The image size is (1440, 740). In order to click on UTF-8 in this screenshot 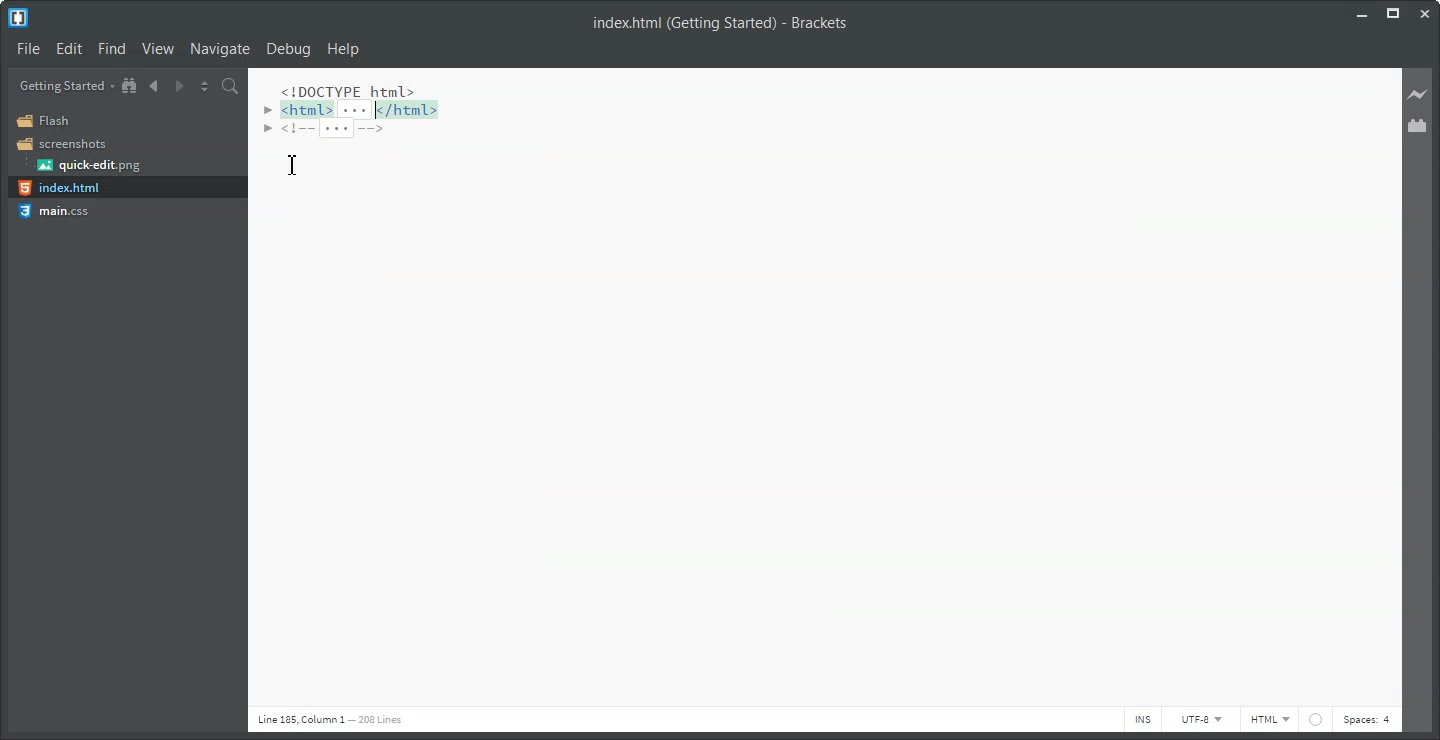, I will do `click(1201, 720)`.